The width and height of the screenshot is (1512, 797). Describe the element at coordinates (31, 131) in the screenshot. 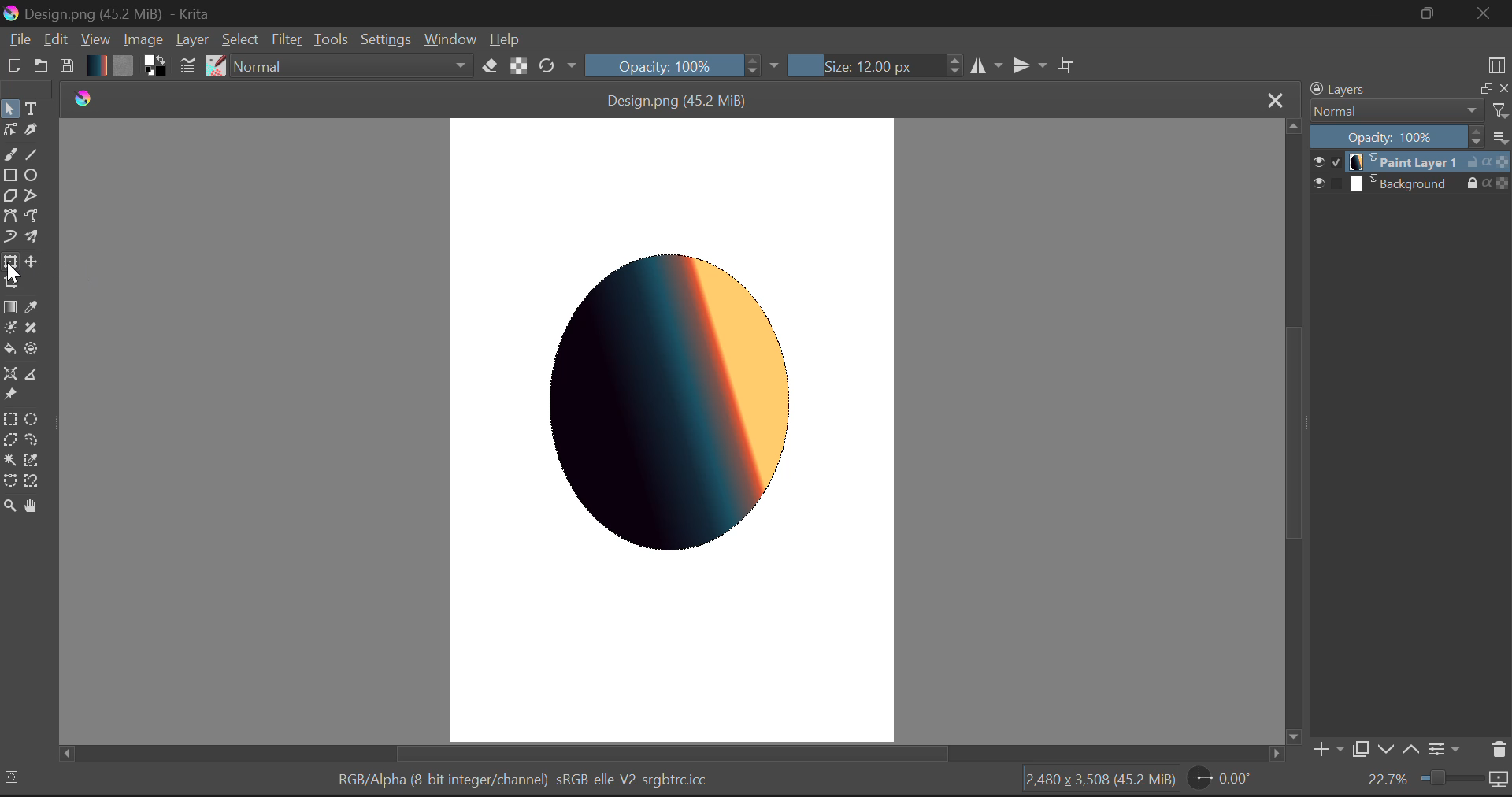

I see `Calligraphic Curve` at that location.